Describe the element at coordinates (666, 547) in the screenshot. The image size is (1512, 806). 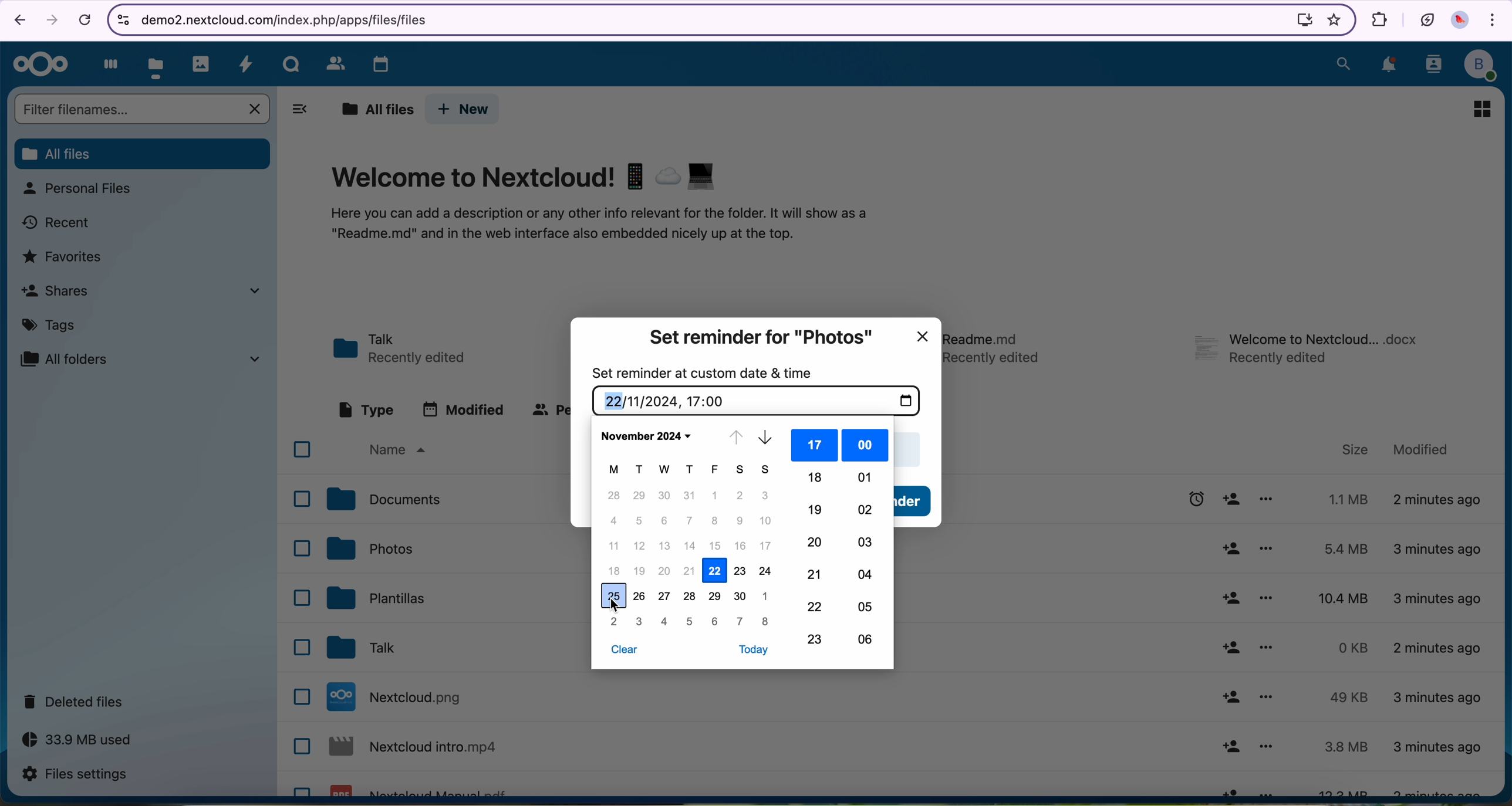
I see `13` at that location.